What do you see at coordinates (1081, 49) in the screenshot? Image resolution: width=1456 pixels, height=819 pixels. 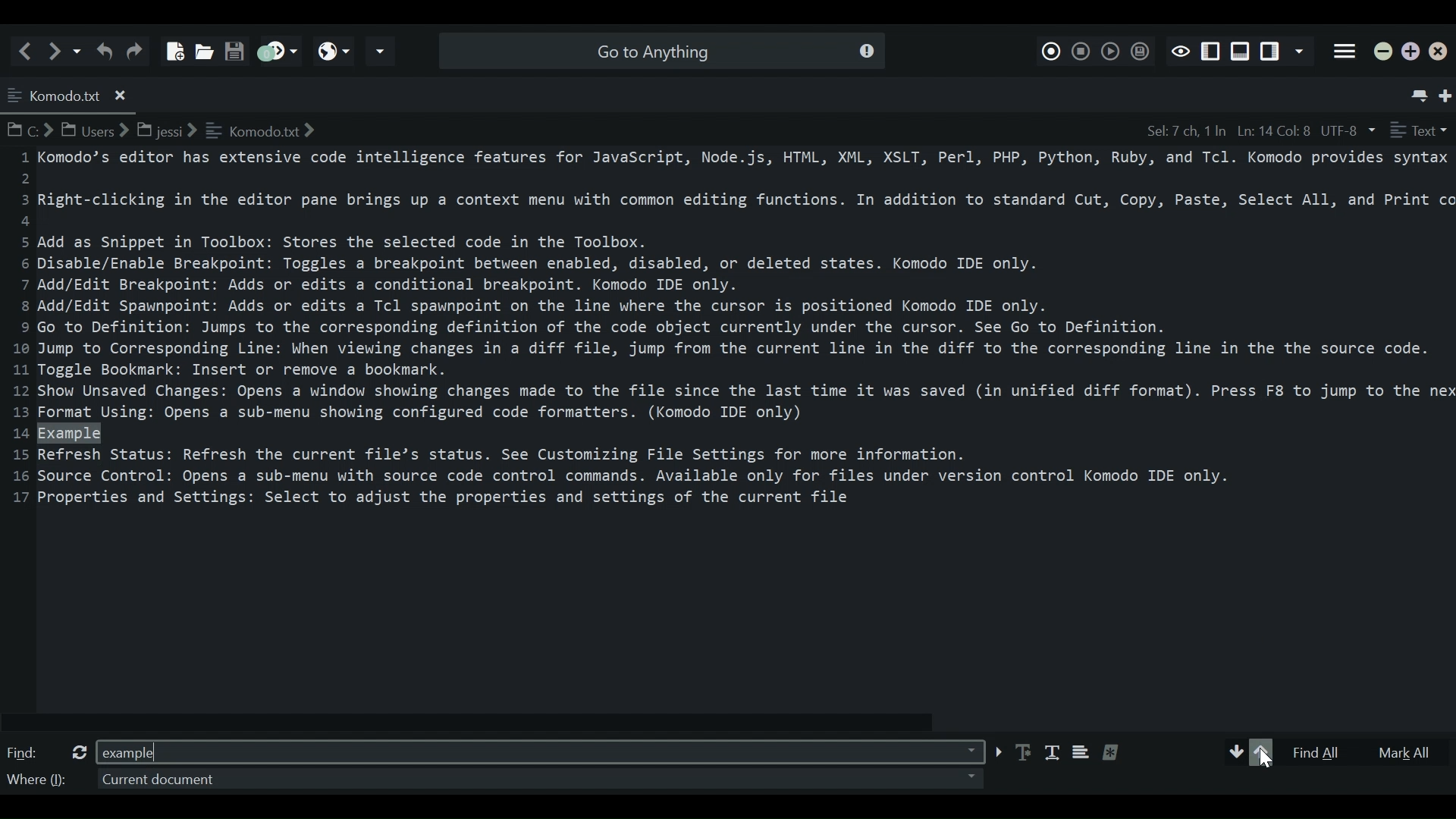 I see `Stop Recording Macro` at bounding box center [1081, 49].